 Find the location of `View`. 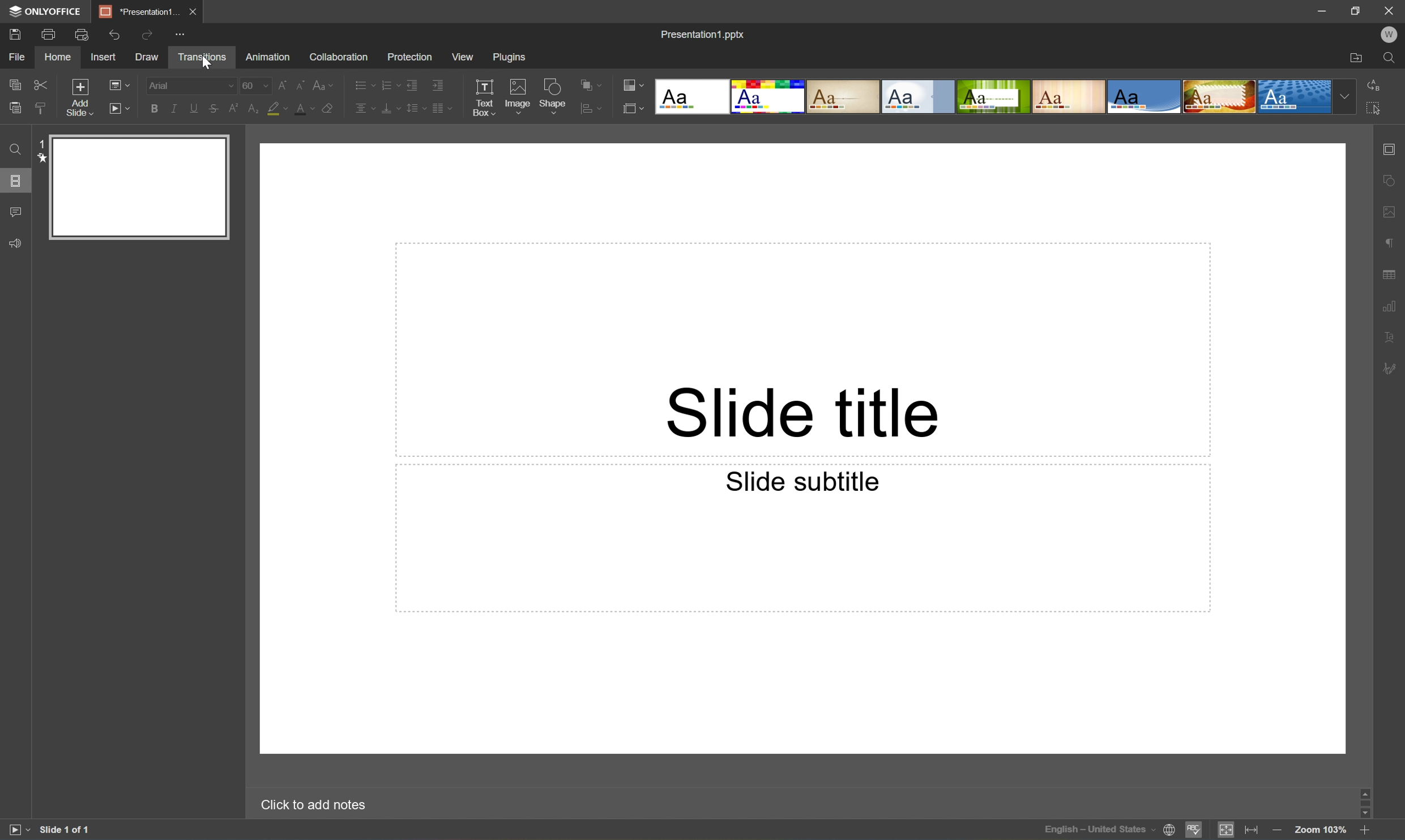

View is located at coordinates (463, 57).